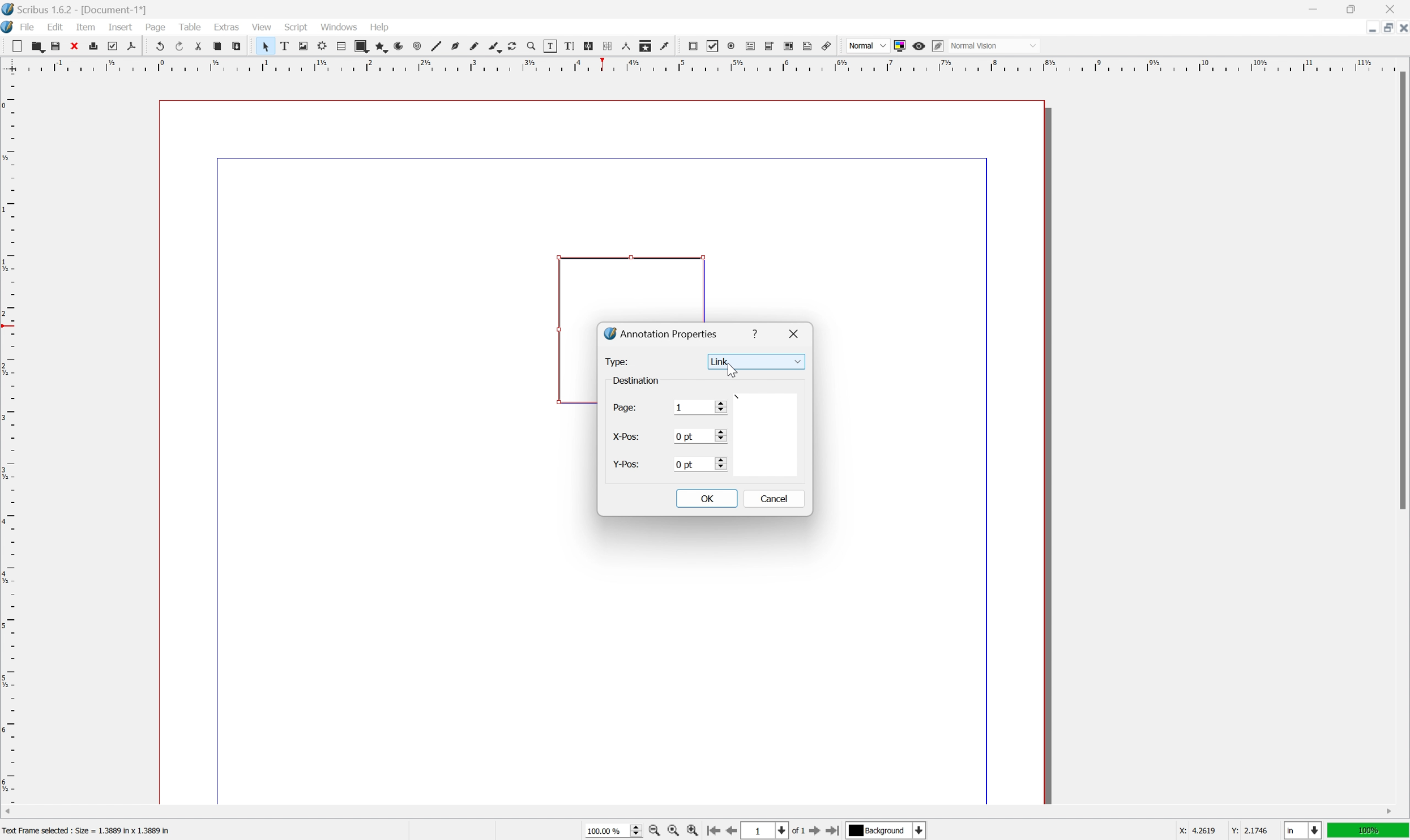 This screenshot has width=1410, height=840. I want to click on edit in preview mode, so click(938, 46).